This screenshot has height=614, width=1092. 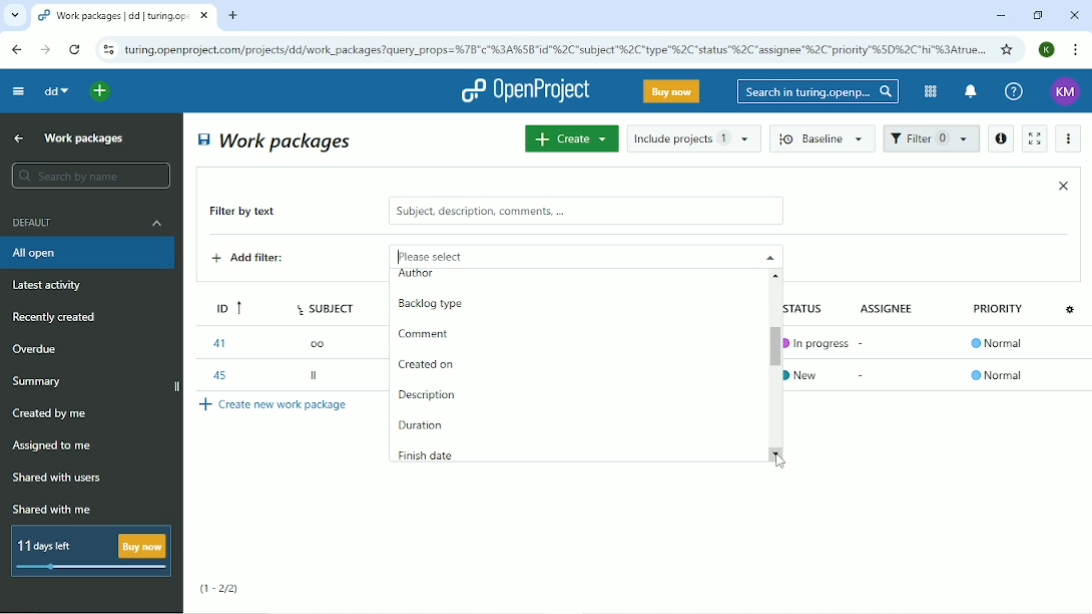 What do you see at coordinates (891, 307) in the screenshot?
I see `Assignee` at bounding box center [891, 307].